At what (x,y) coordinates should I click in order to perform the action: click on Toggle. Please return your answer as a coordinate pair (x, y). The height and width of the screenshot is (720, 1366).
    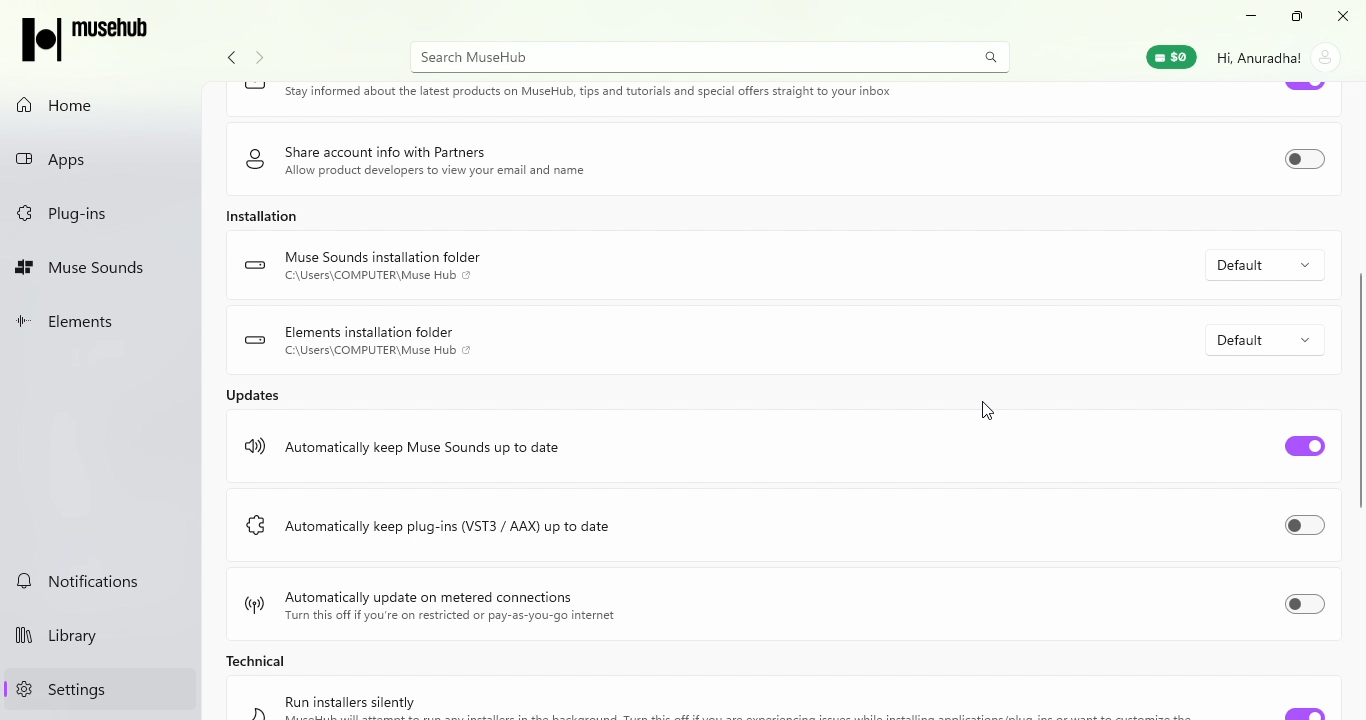
    Looking at the image, I should click on (1303, 89).